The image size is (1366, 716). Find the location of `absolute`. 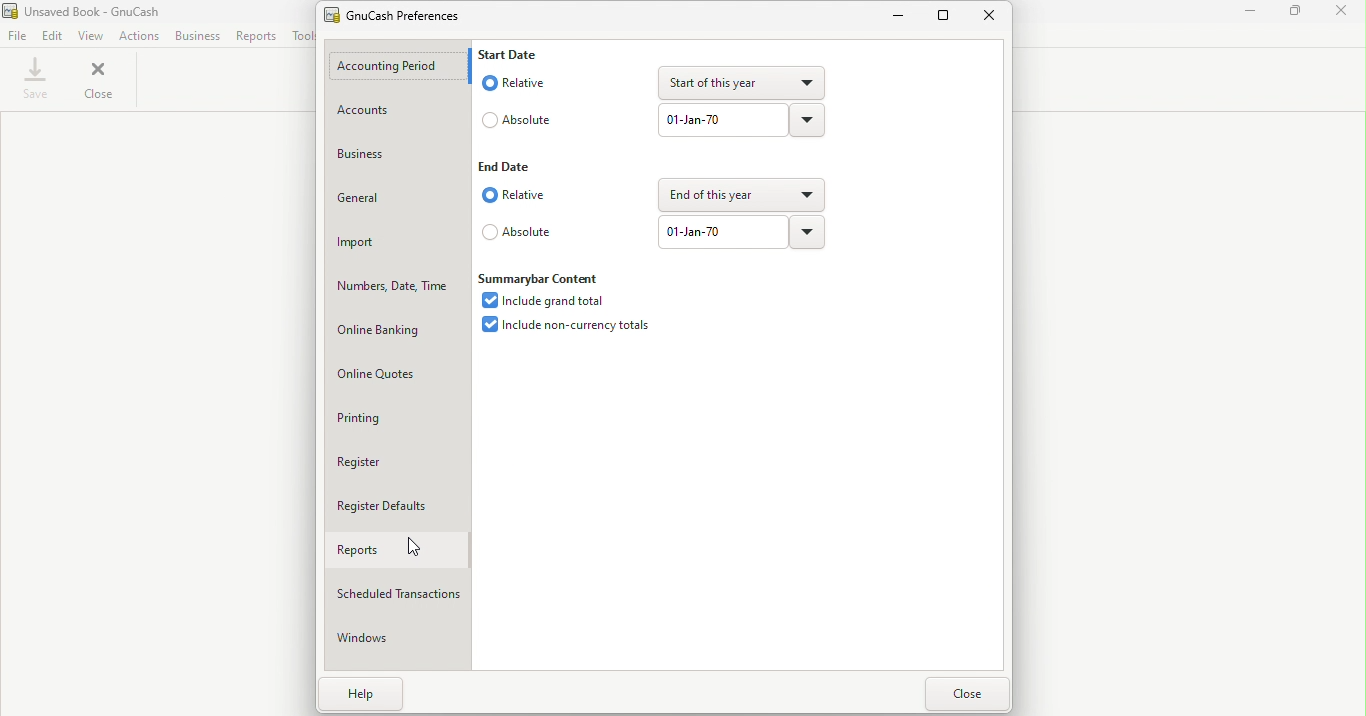

absolute is located at coordinates (529, 230).